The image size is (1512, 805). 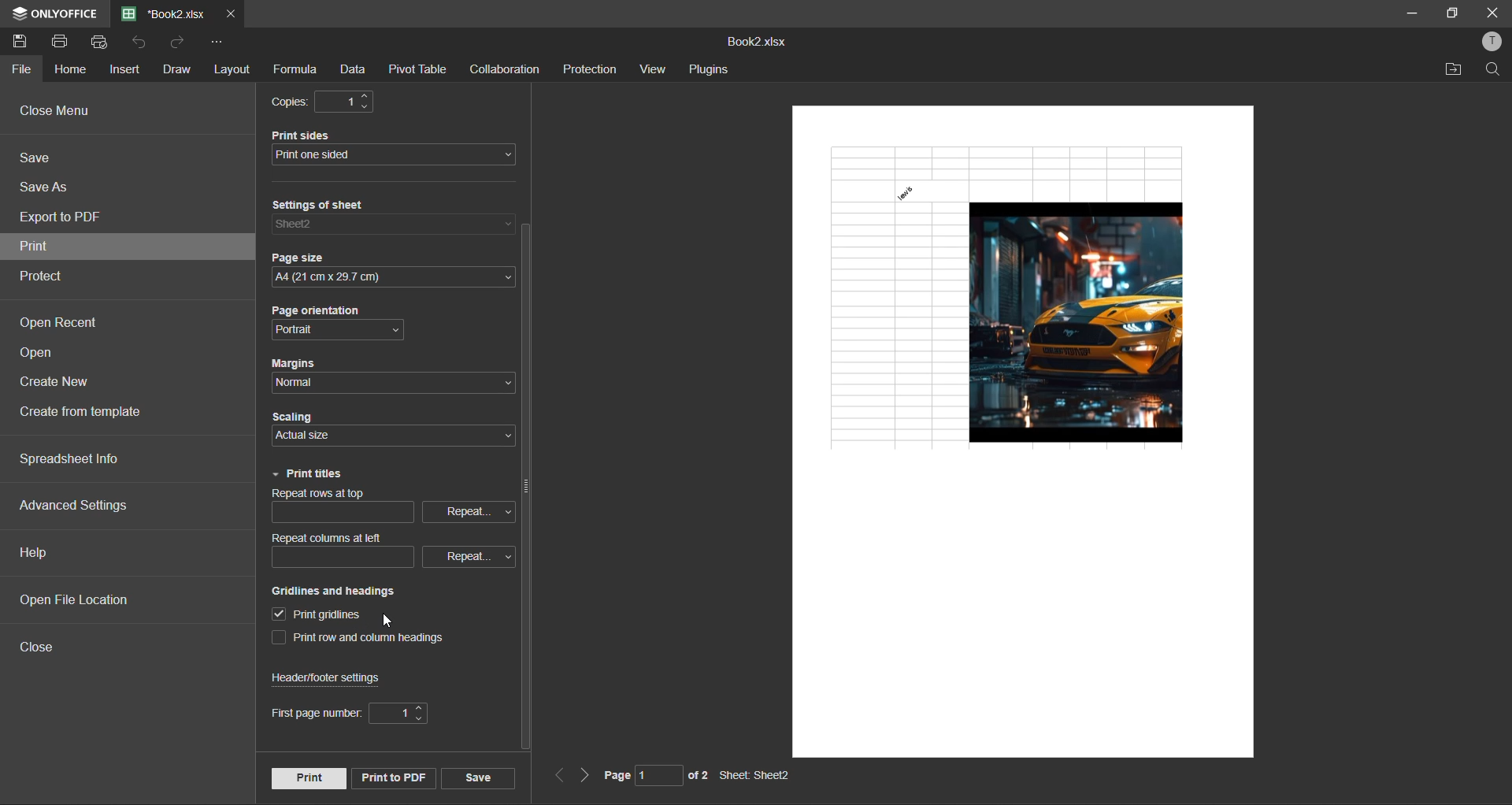 I want to click on open recent, so click(x=57, y=323).